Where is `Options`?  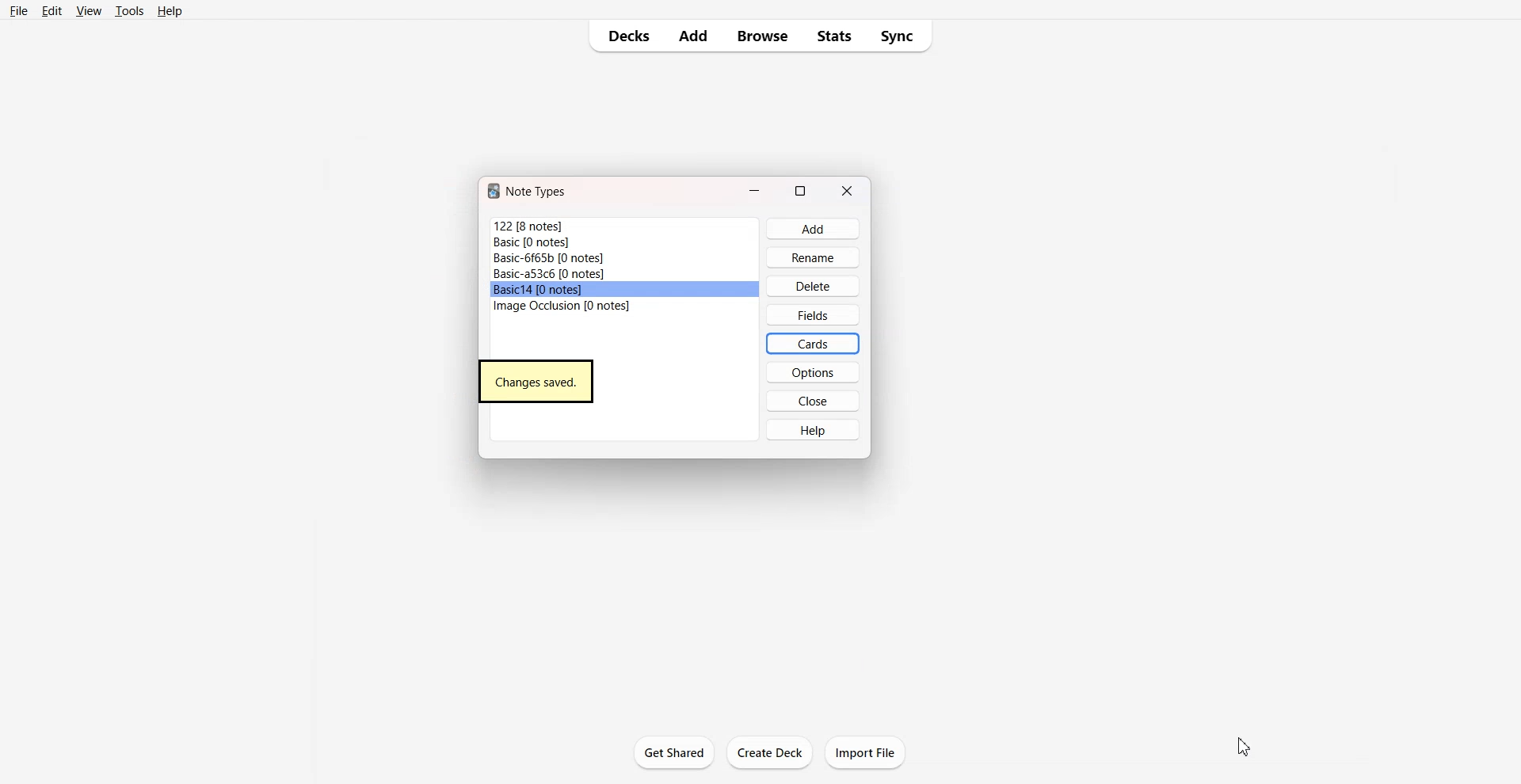 Options is located at coordinates (811, 372).